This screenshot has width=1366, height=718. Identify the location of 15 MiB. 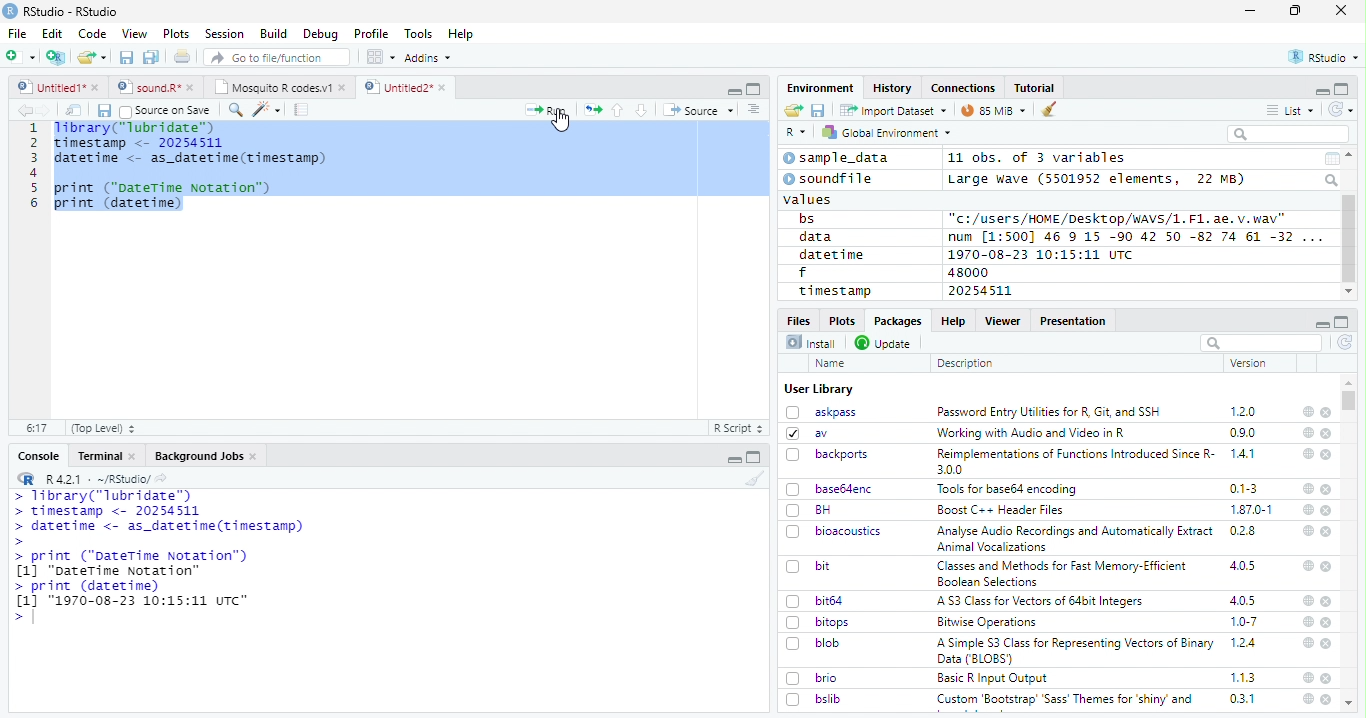
(994, 110).